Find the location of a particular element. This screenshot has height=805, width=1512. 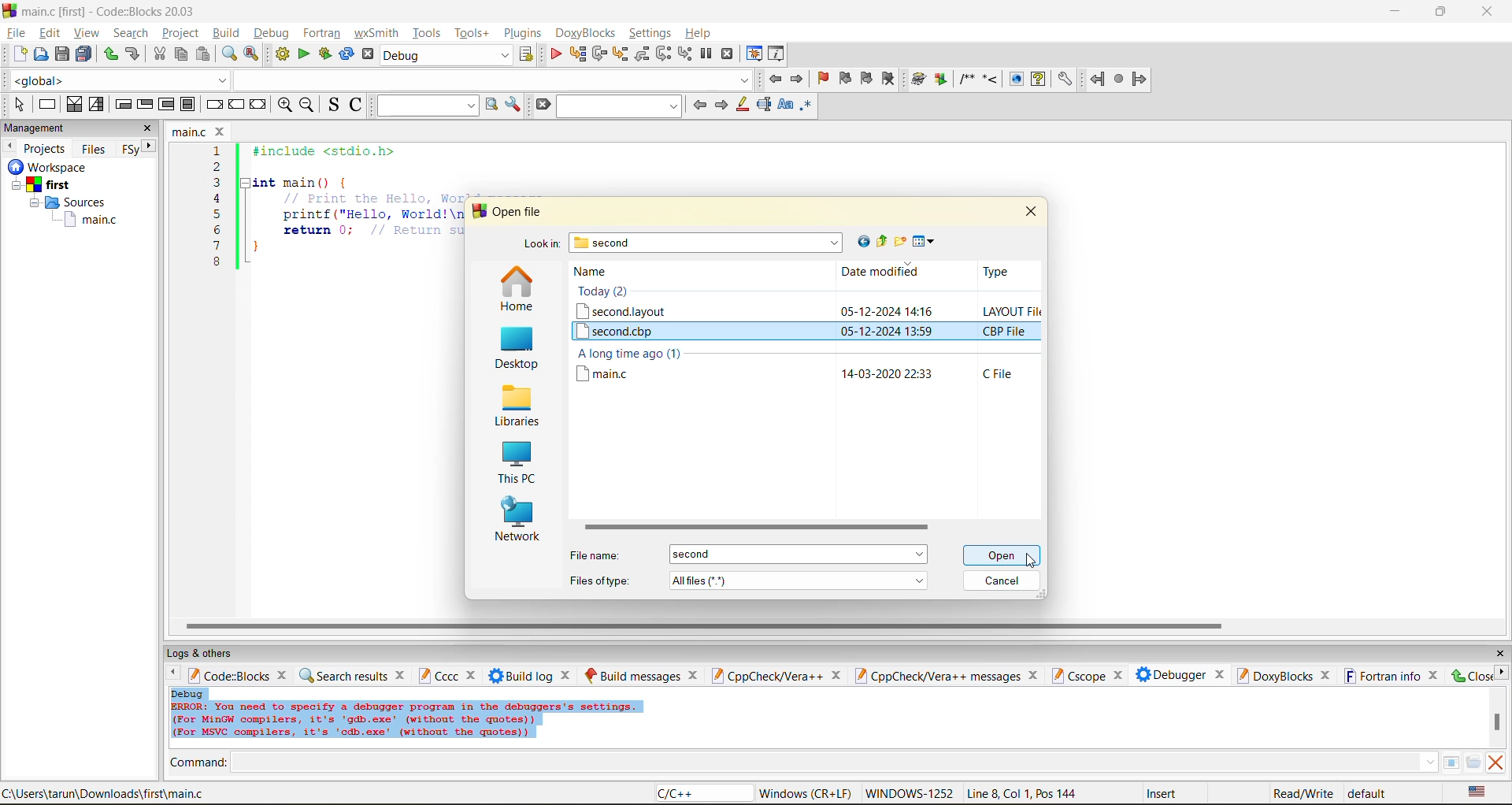

close is located at coordinates (1031, 210).